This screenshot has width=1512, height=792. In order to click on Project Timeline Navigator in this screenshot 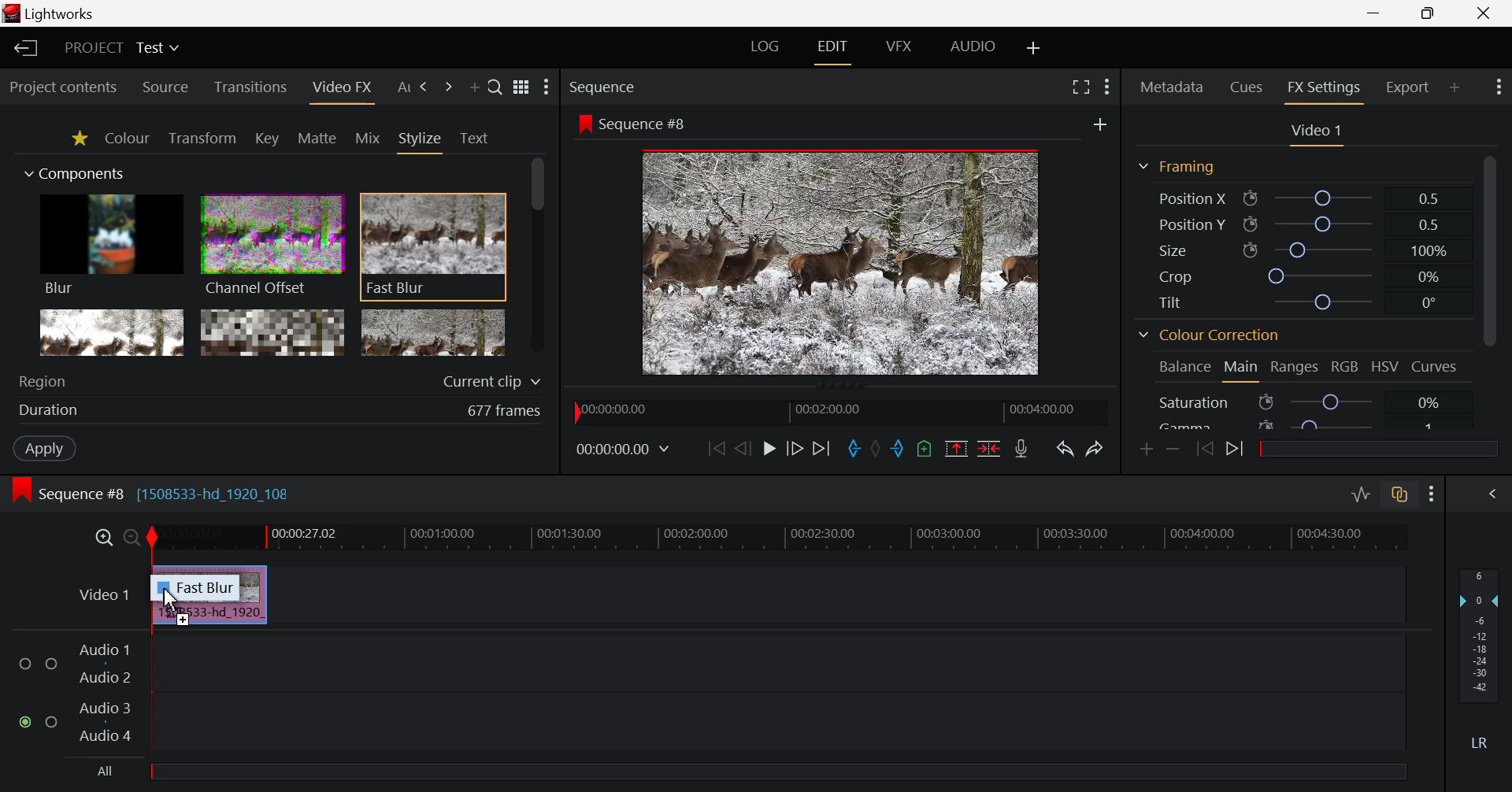, I will do `click(836, 411)`.